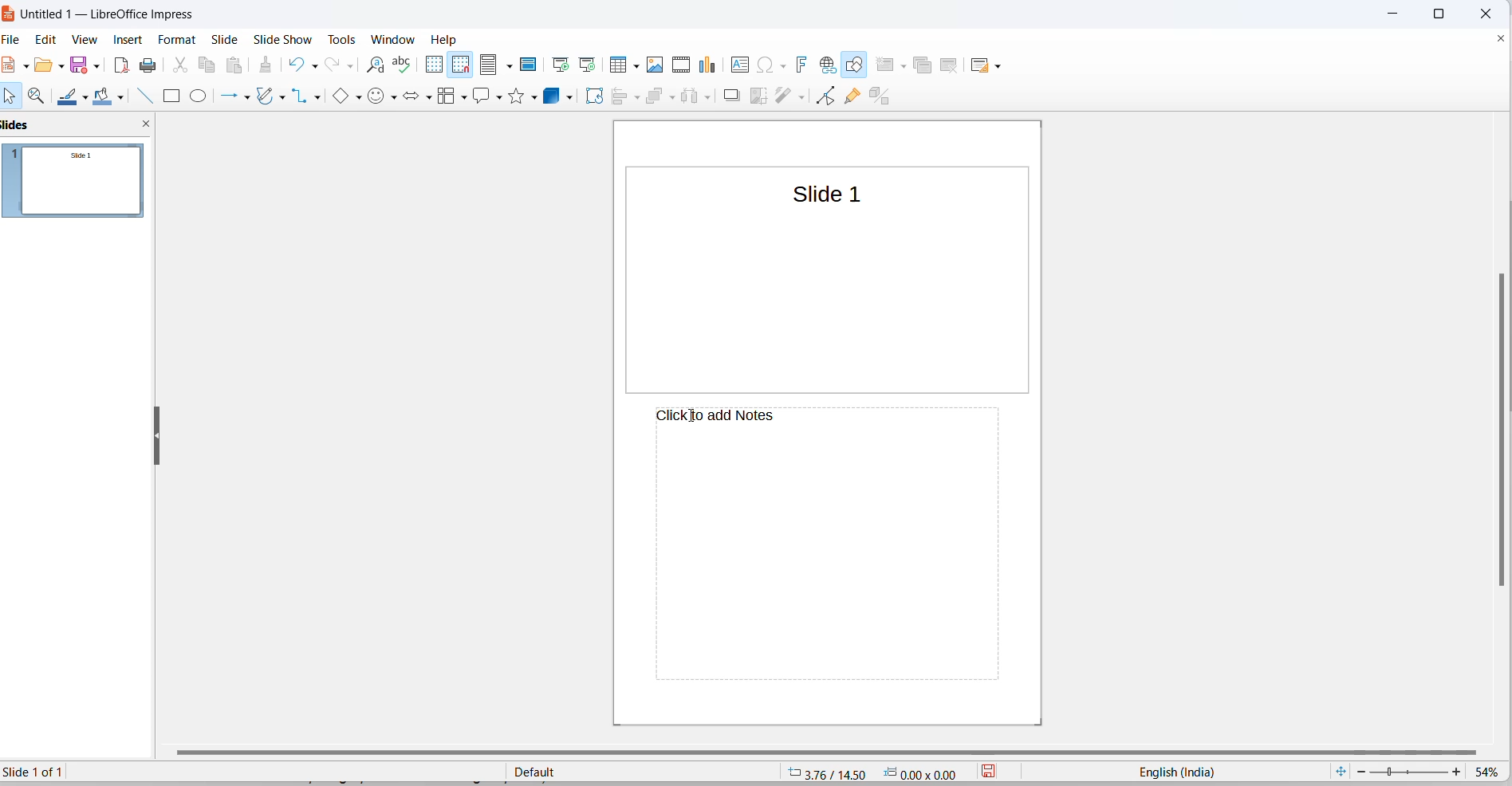  Describe the element at coordinates (267, 65) in the screenshot. I see `clone formatting` at that location.